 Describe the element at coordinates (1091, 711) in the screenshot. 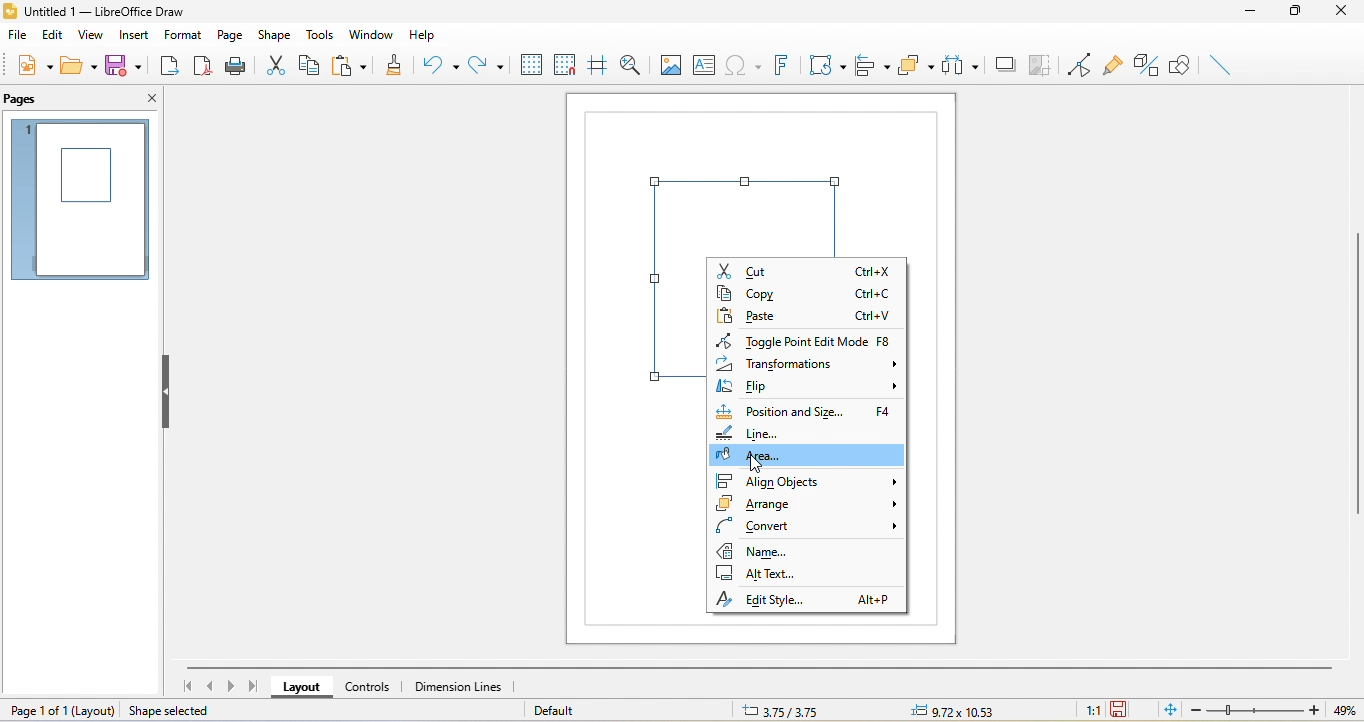

I see `1:1` at that location.